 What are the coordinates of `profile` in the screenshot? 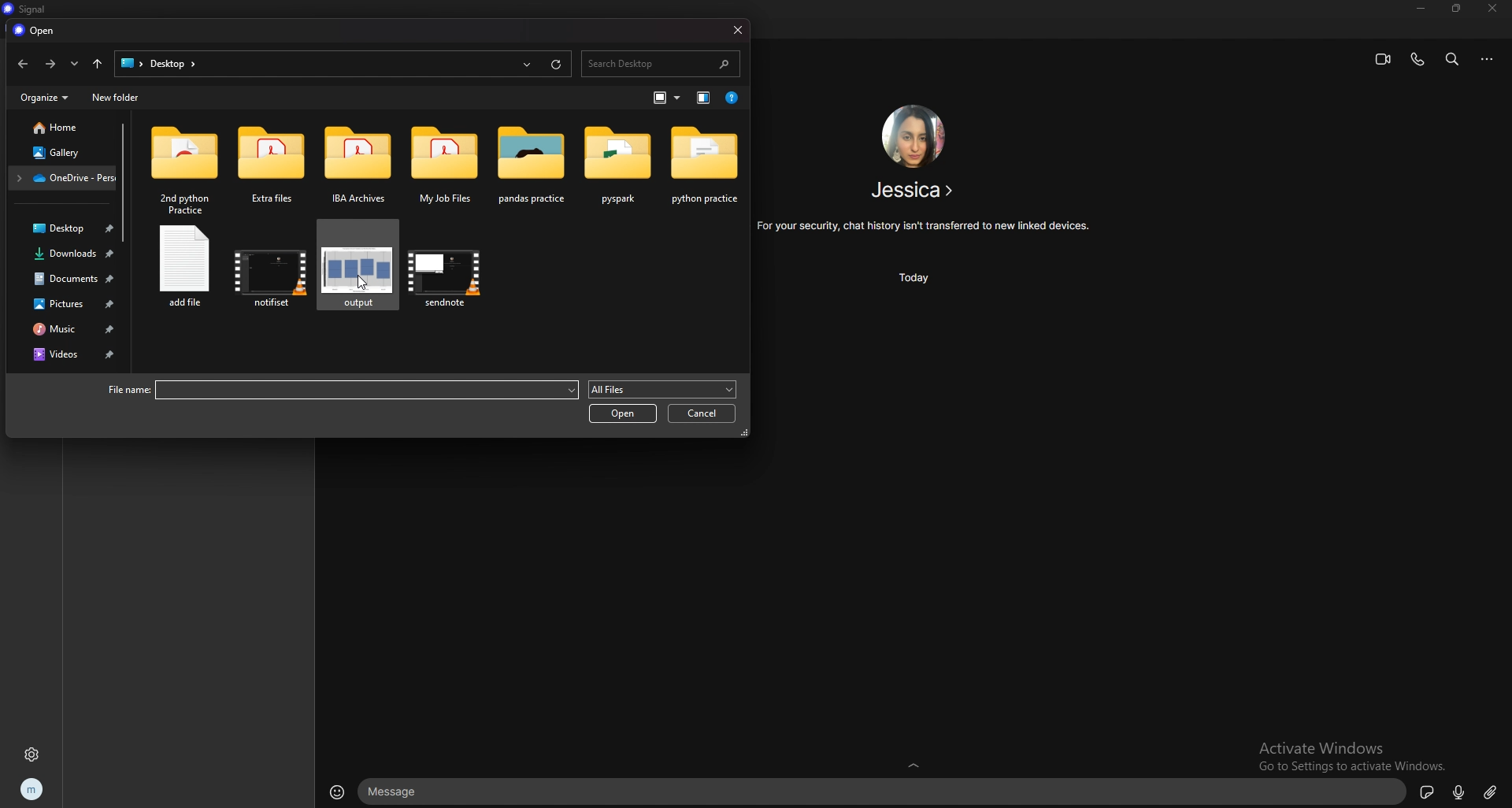 It's located at (33, 789).